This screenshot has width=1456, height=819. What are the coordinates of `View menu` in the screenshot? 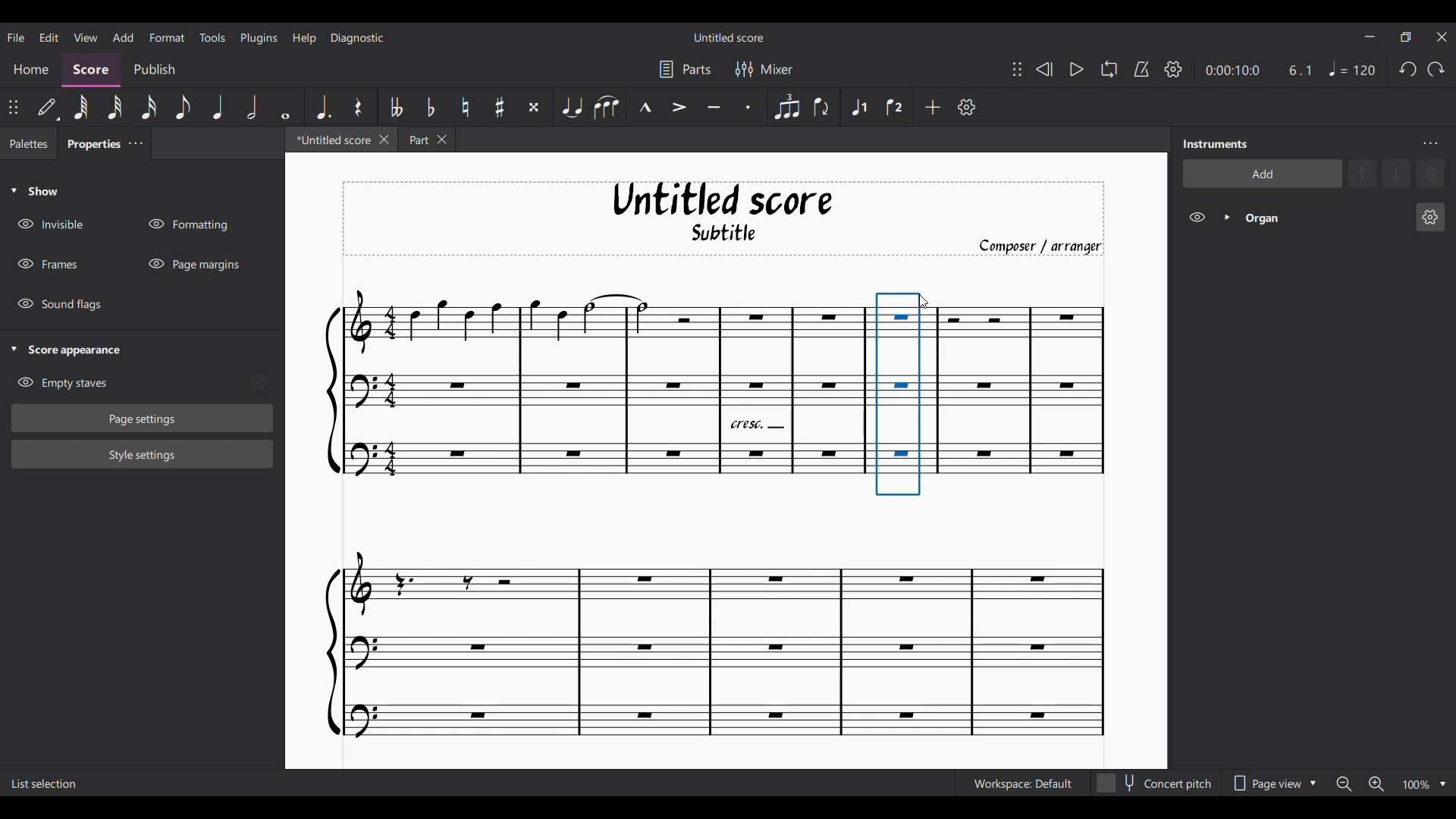 It's located at (86, 37).